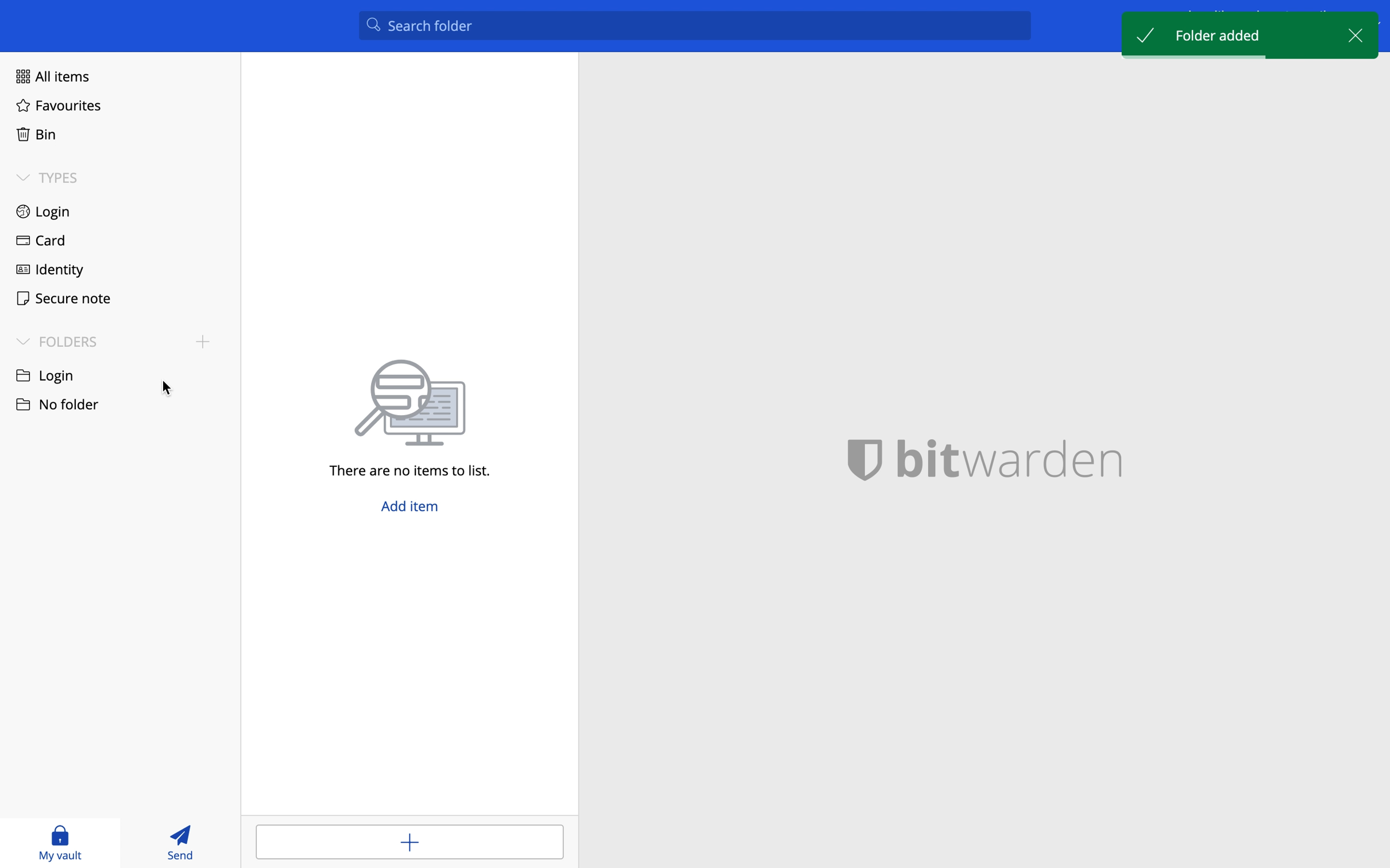  Describe the element at coordinates (418, 418) in the screenshot. I see `no items to list` at that location.